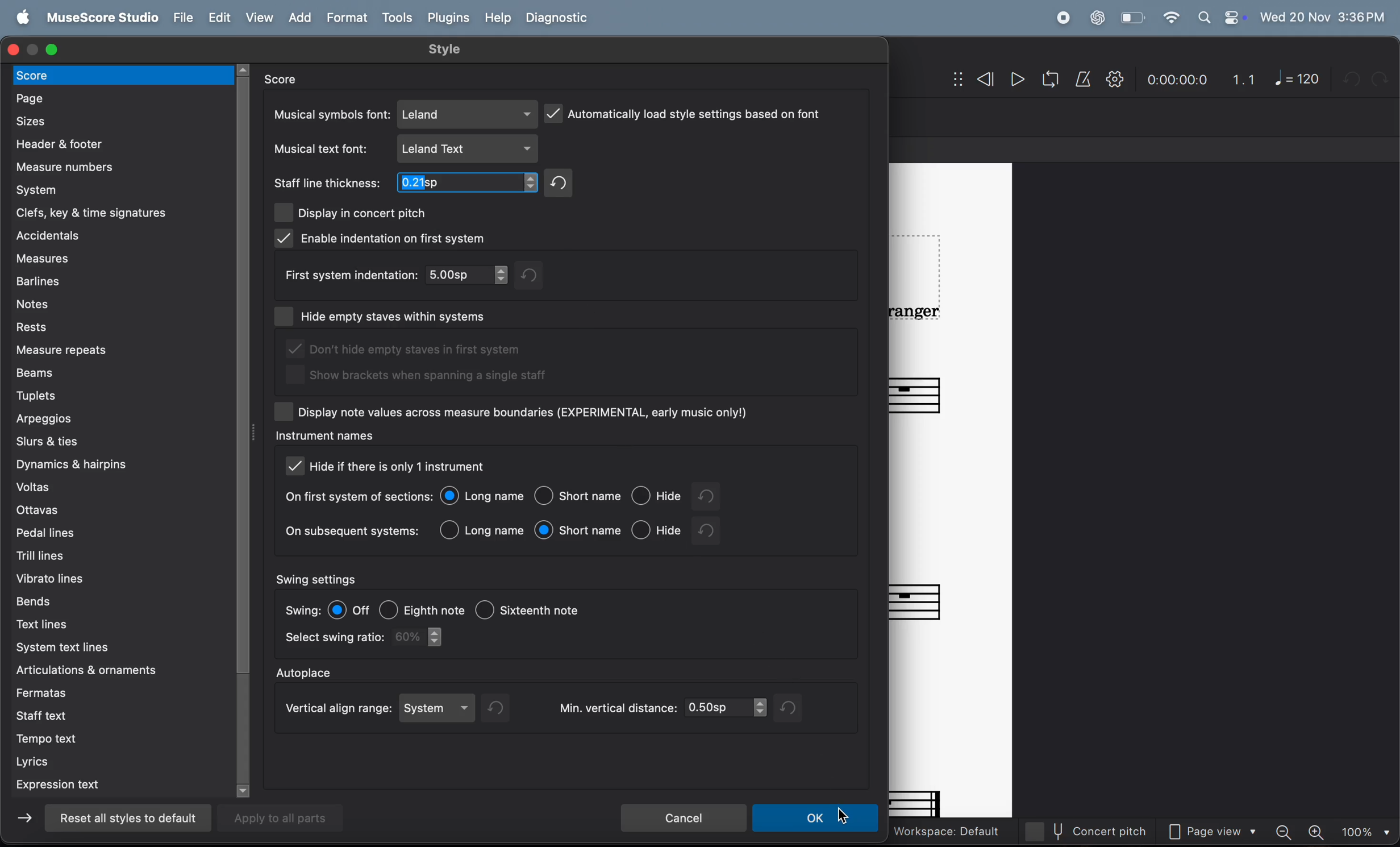 This screenshot has width=1400, height=847. I want to click on measures, so click(118, 259).